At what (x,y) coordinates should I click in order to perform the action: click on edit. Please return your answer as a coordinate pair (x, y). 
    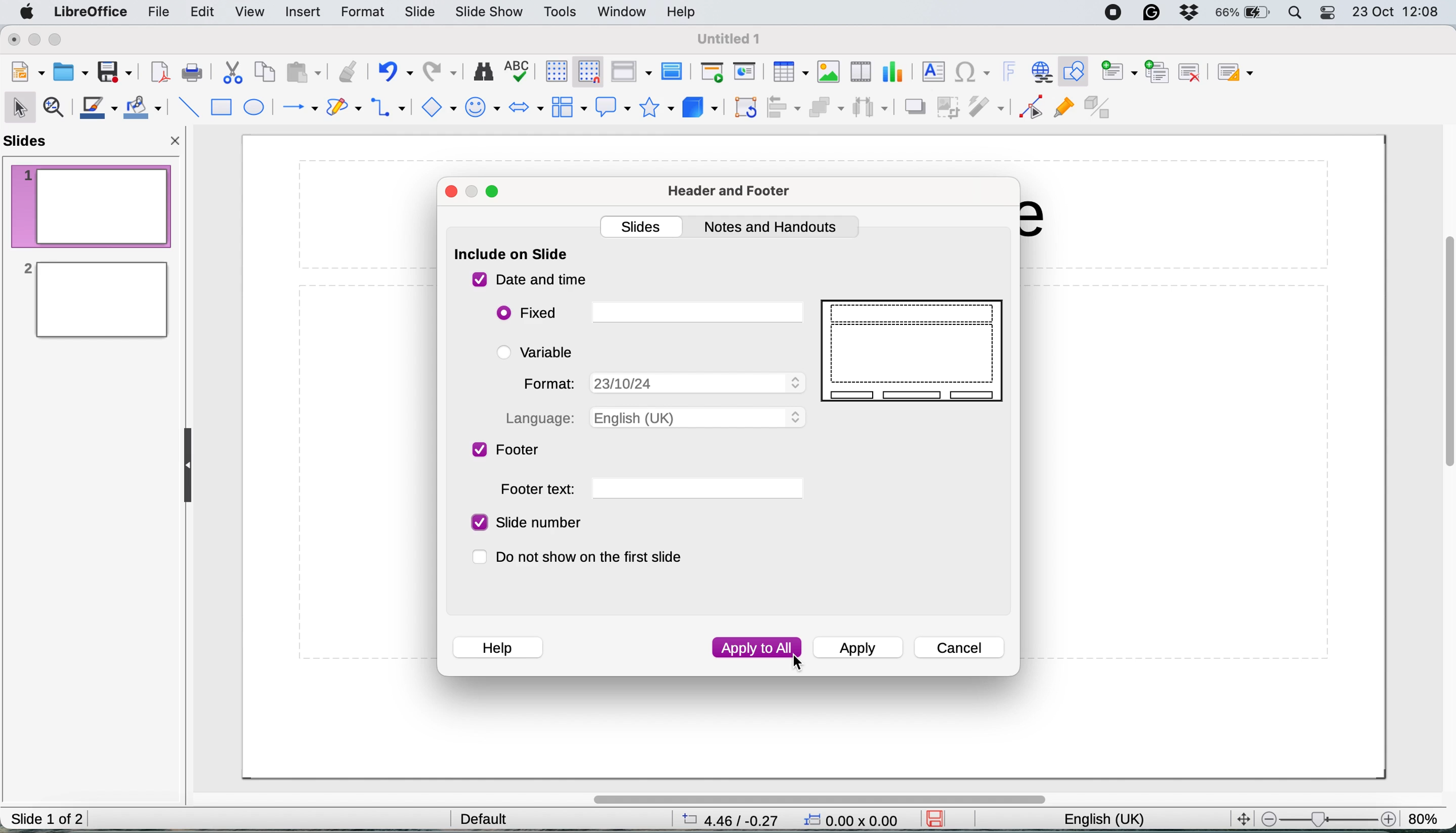
    Looking at the image, I should click on (206, 14).